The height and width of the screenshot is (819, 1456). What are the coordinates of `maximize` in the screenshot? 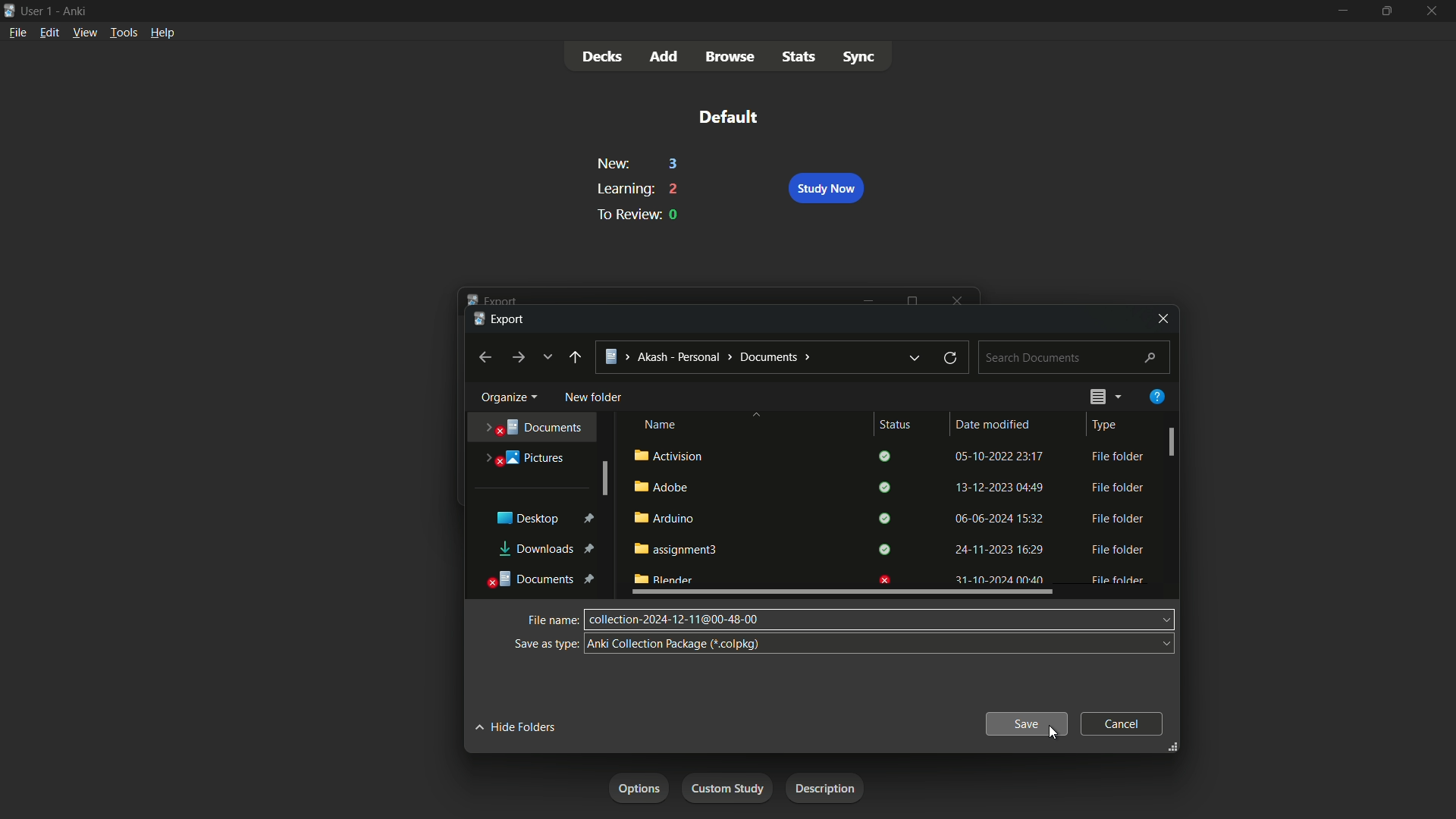 It's located at (1386, 10).